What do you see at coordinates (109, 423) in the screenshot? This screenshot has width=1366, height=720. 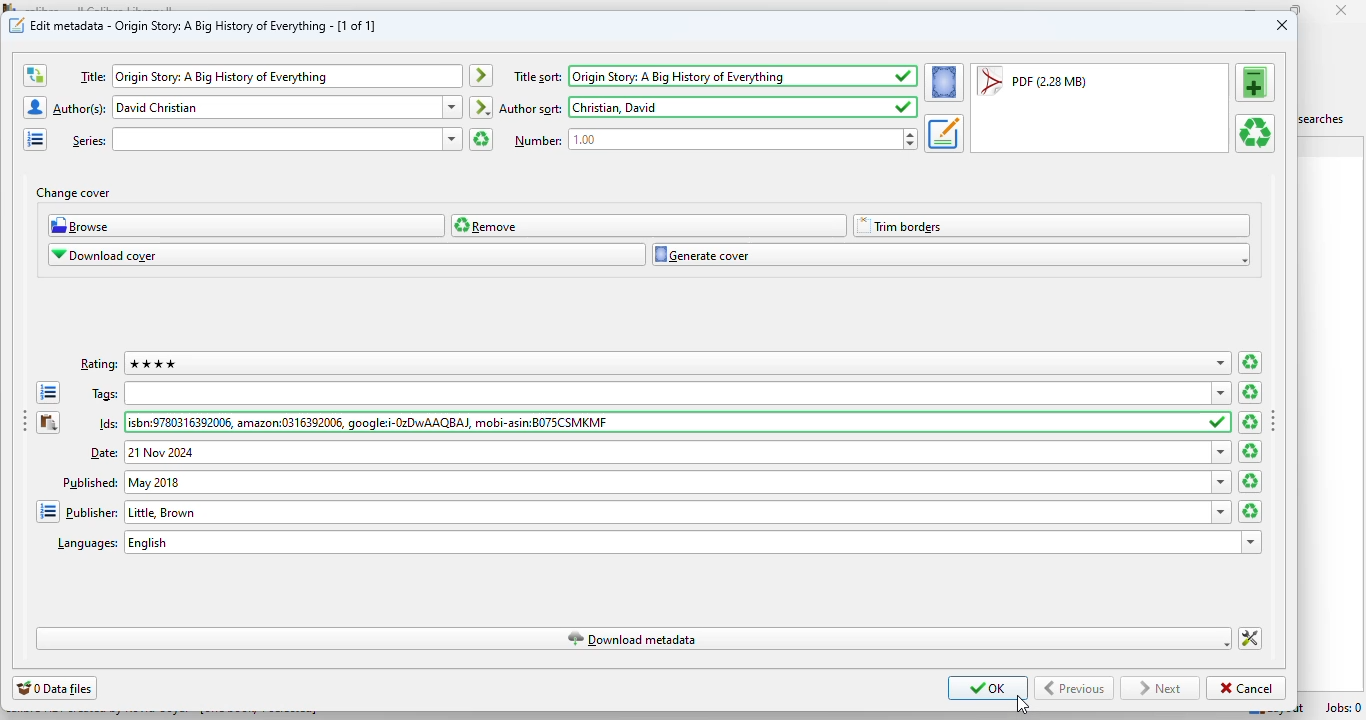 I see `text` at bounding box center [109, 423].